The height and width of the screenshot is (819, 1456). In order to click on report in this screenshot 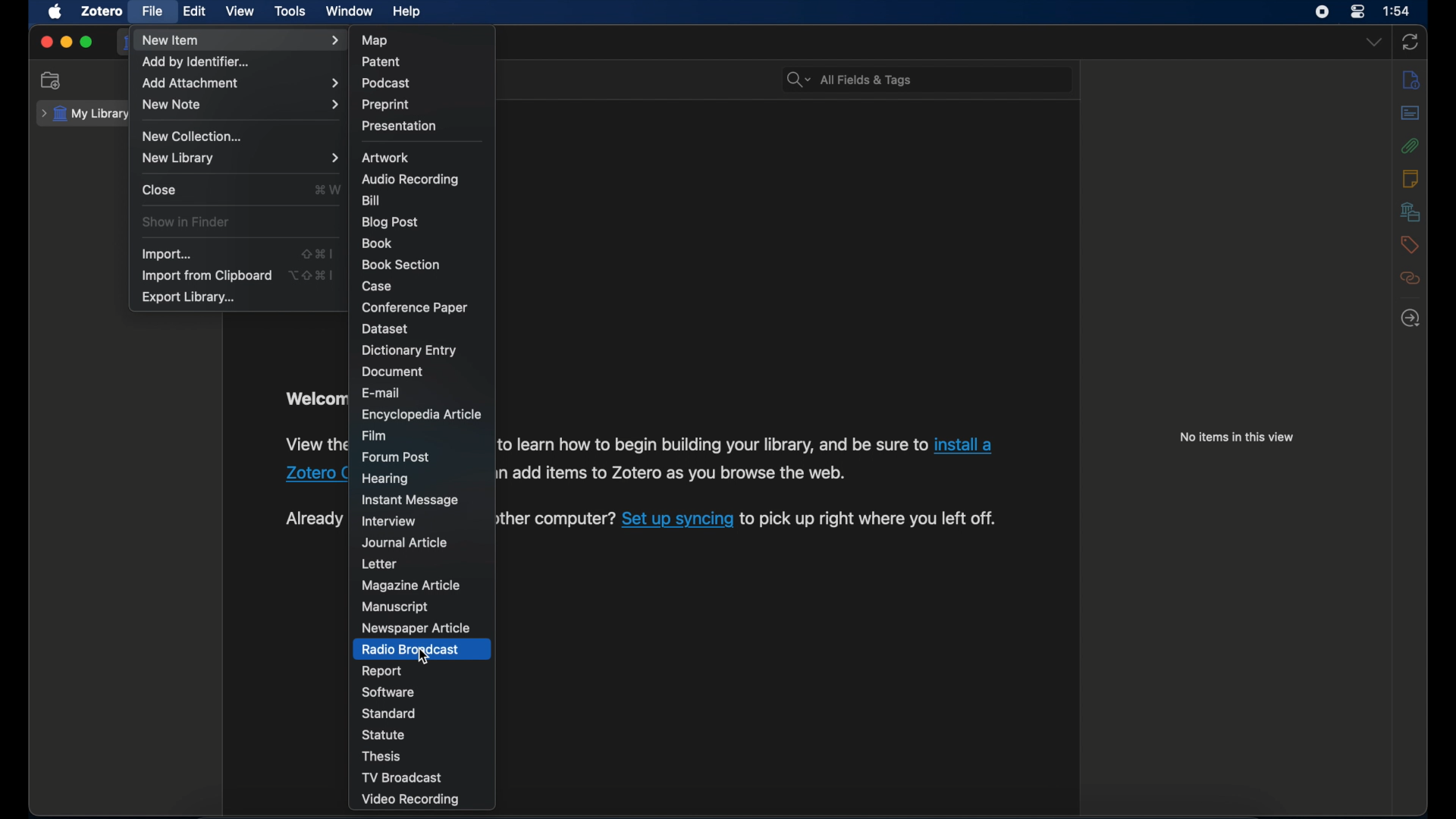, I will do `click(382, 670)`.